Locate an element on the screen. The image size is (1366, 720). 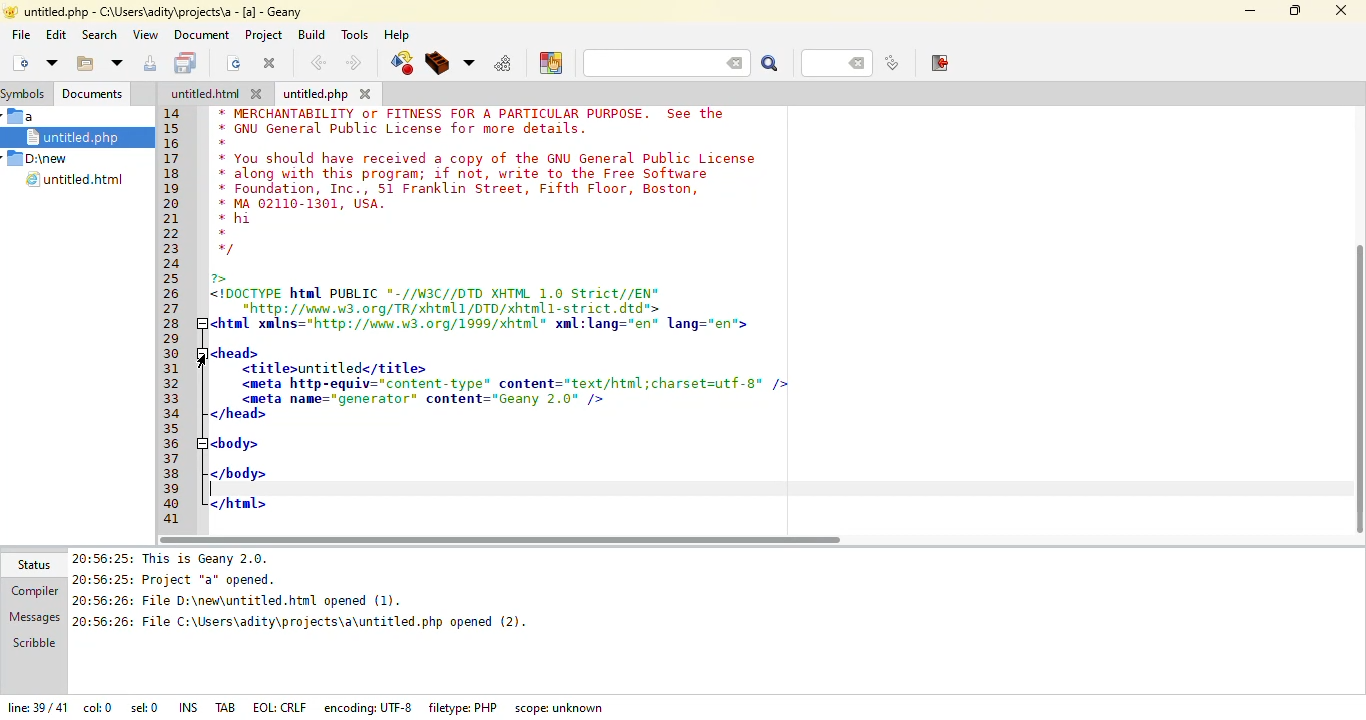
untitled.php is located at coordinates (315, 93).